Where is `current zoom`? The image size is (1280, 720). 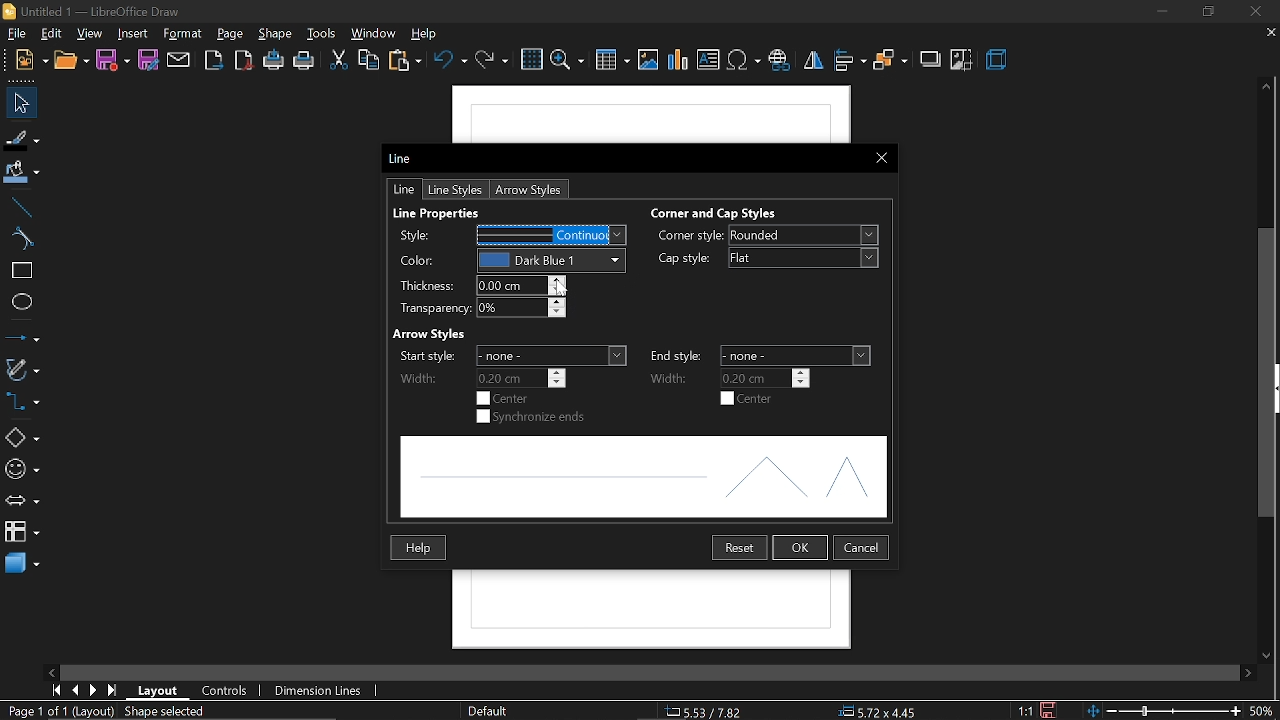 current zoom is located at coordinates (1262, 712).